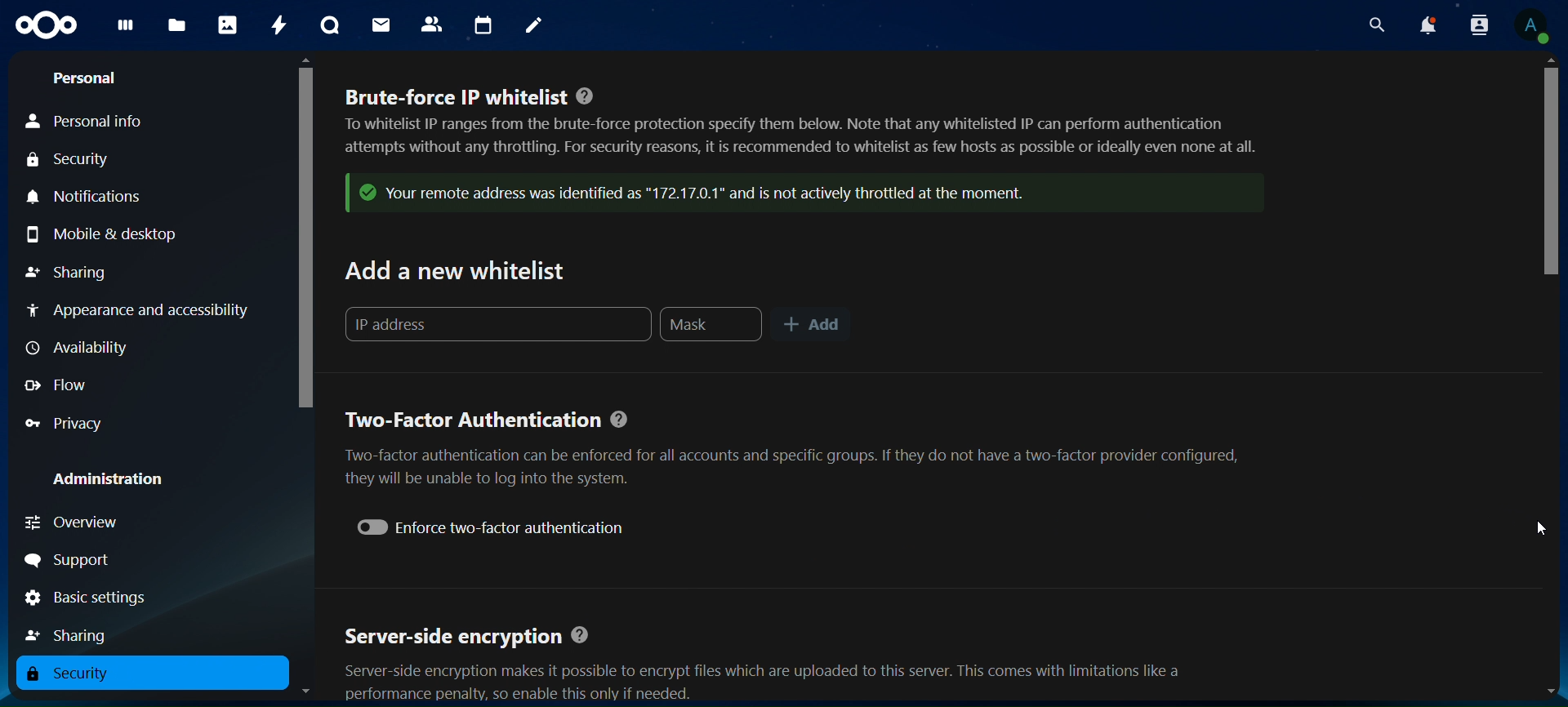 This screenshot has width=1568, height=707. Describe the element at coordinates (484, 26) in the screenshot. I see `calendar` at that location.